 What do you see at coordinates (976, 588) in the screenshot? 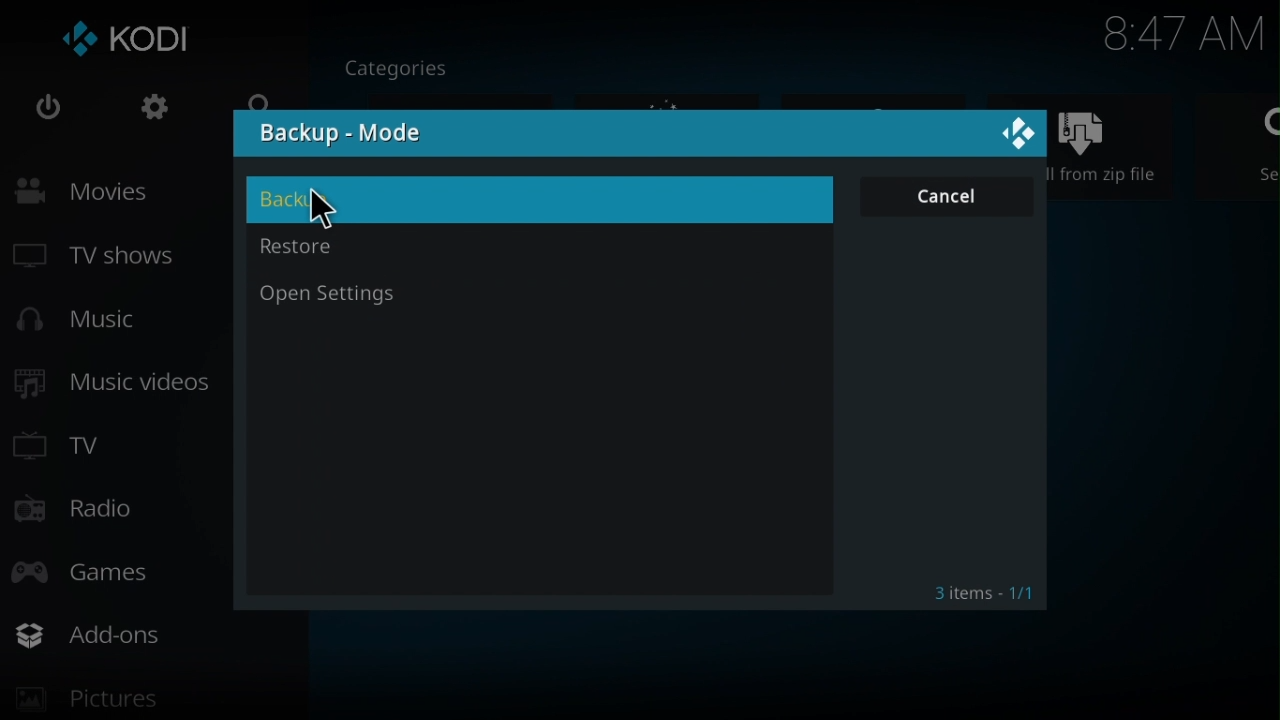
I see `3 items` at bounding box center [976, 588].